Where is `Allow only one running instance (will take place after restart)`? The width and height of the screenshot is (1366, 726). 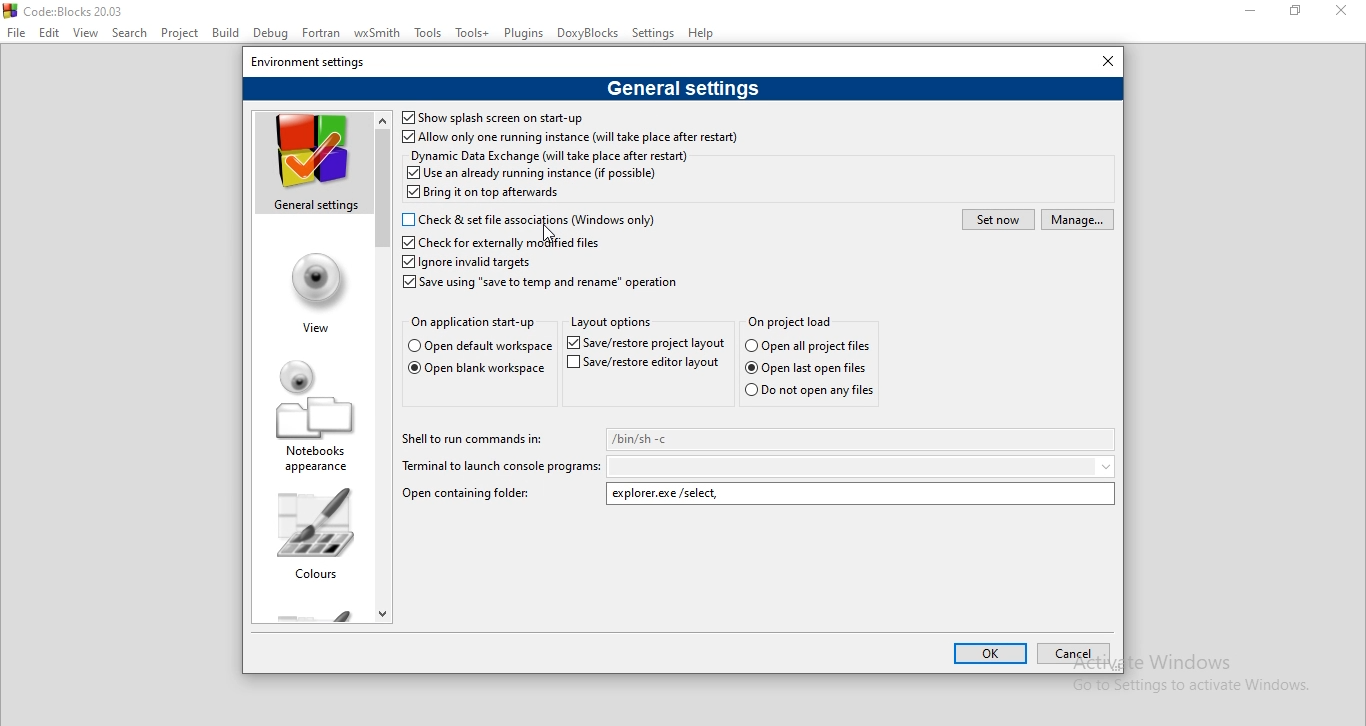 Allow only one running instance (will take place after restart) is located at coordinates (571, 138).